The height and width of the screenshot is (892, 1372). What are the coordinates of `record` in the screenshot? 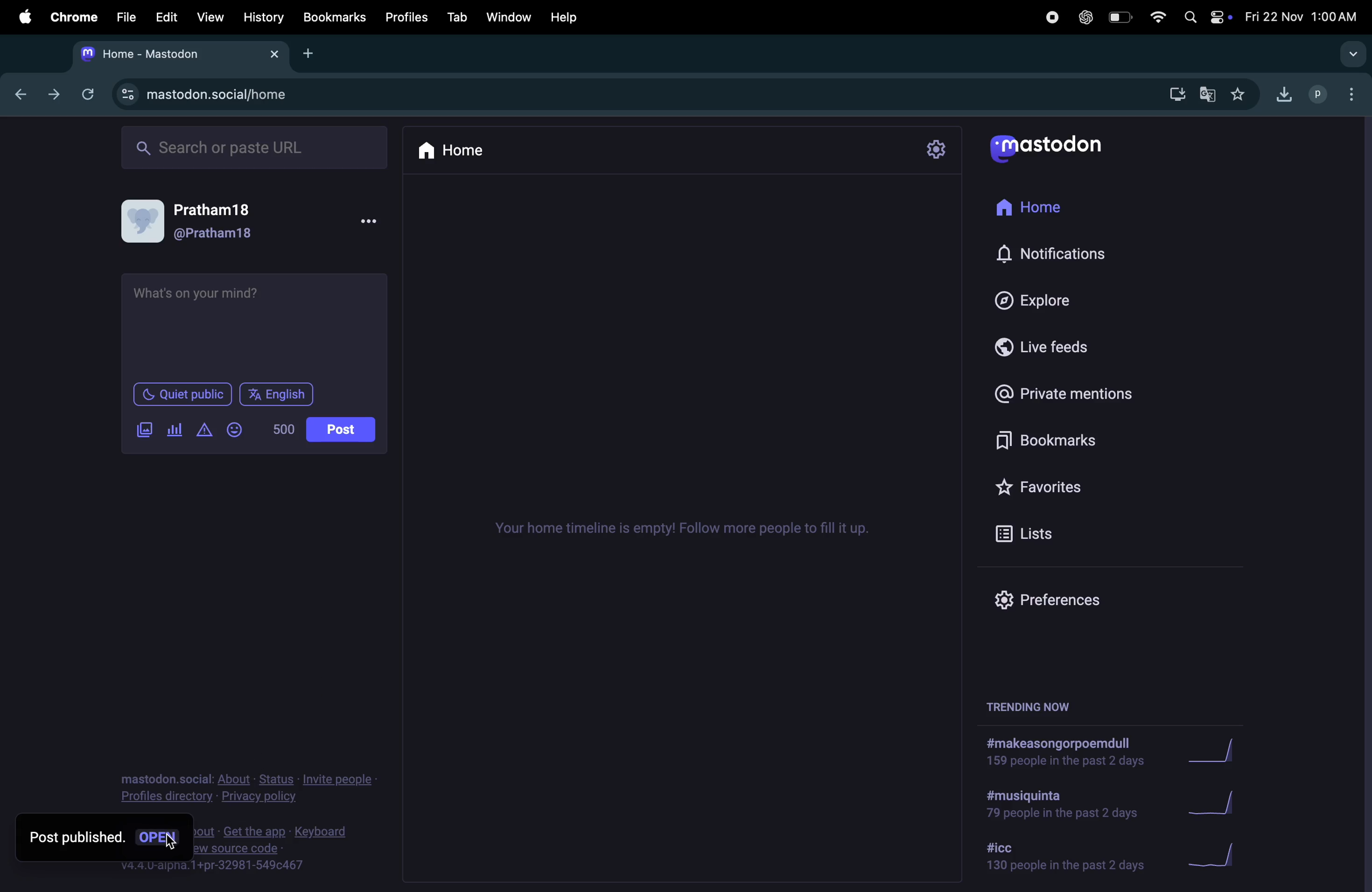 It's located at (1051, 20).